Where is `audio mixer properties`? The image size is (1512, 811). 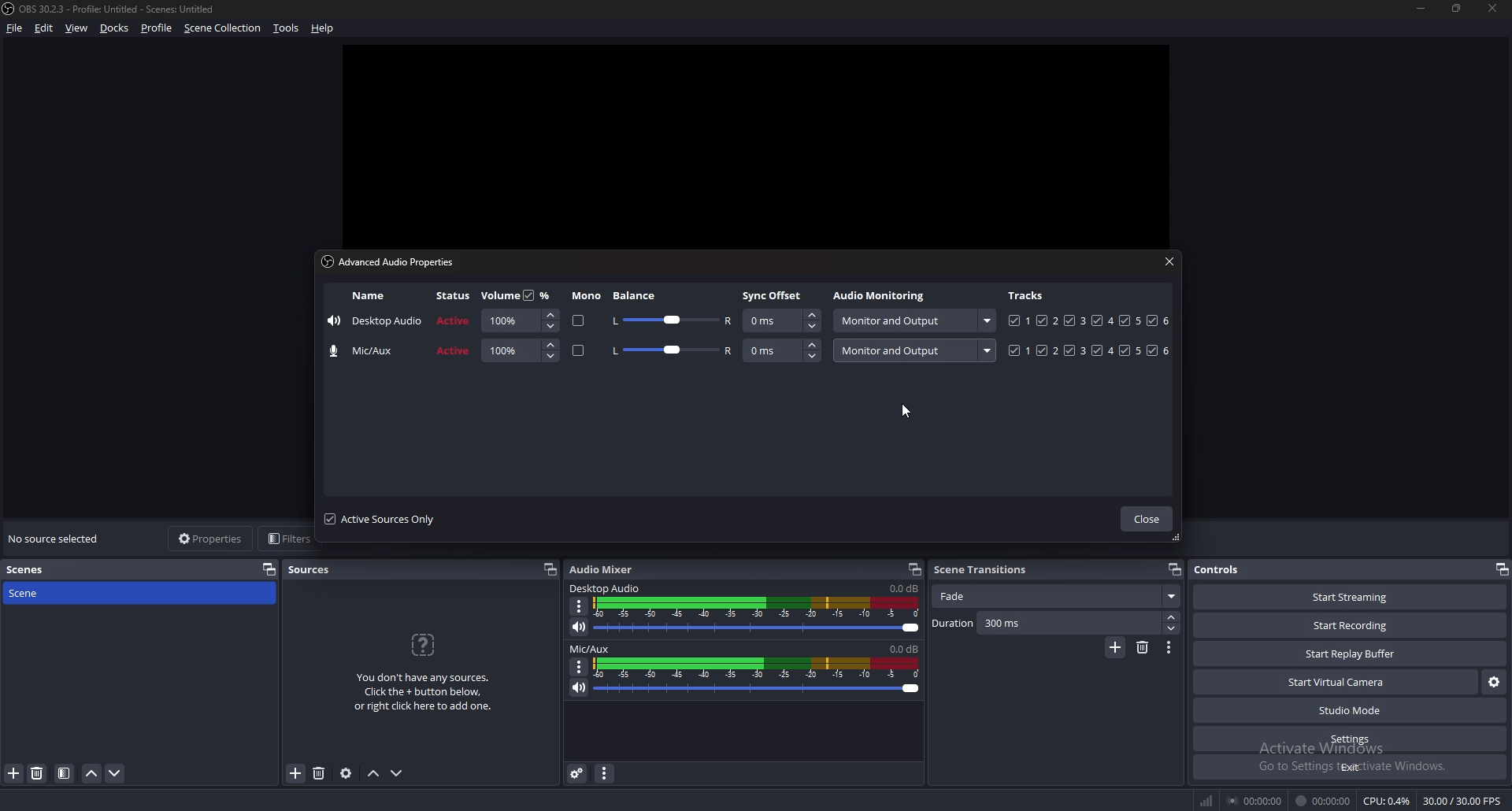 audio mixer properties is located at coordinates (606, 774).